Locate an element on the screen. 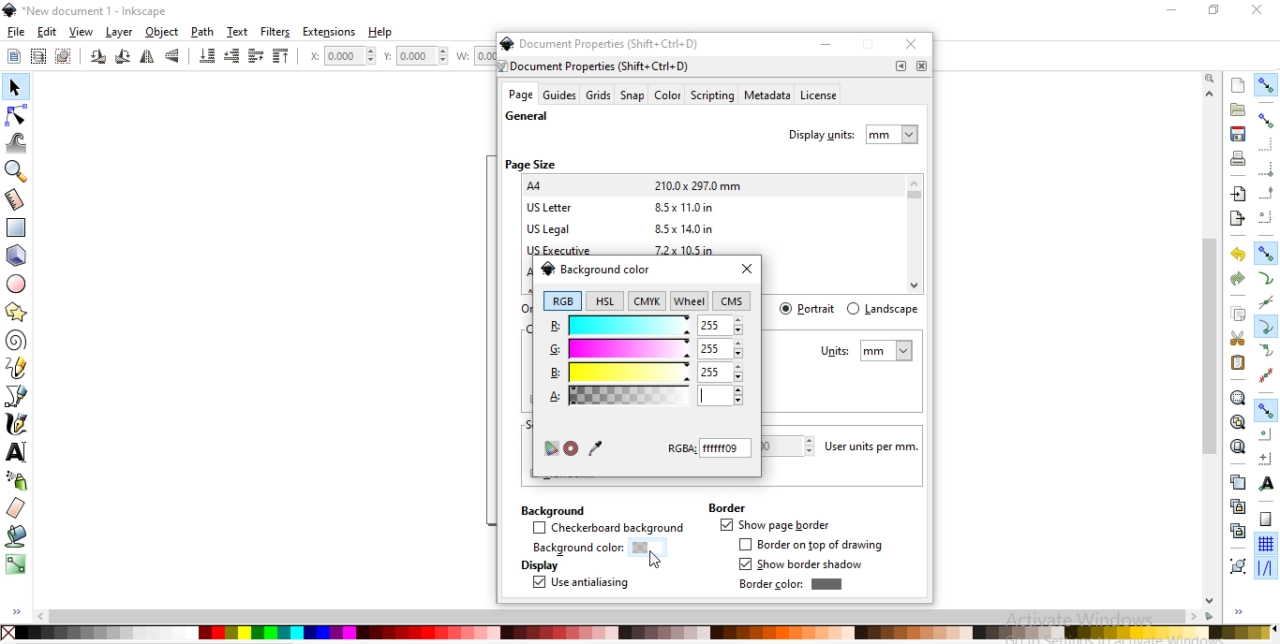 Image resolution: width=1280 pixels, height=644 pixels. close is located at coordinates (746, 270).